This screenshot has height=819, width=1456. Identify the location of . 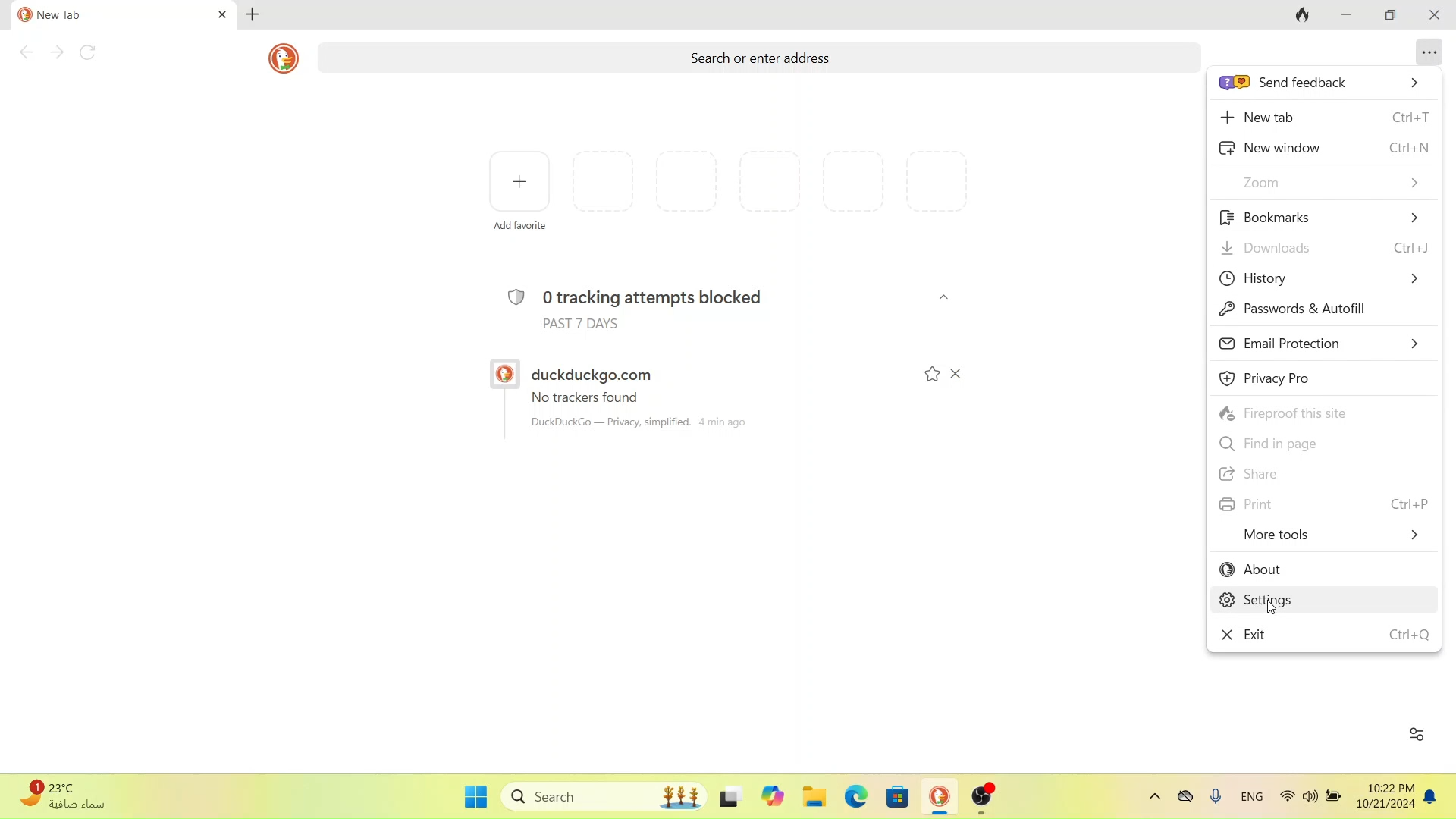
(1304, 17).